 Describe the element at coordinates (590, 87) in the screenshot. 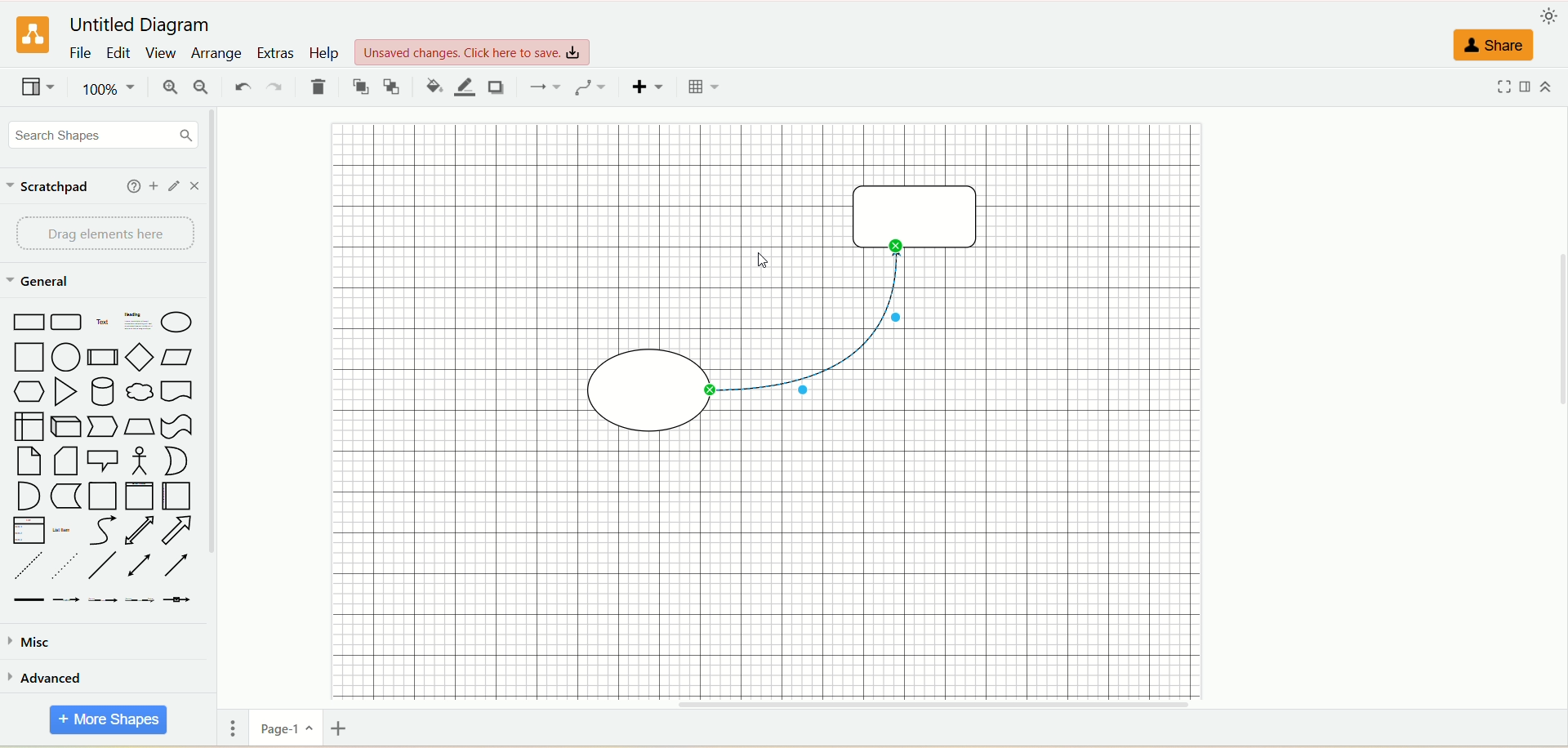

I see `waypoints` at that location.